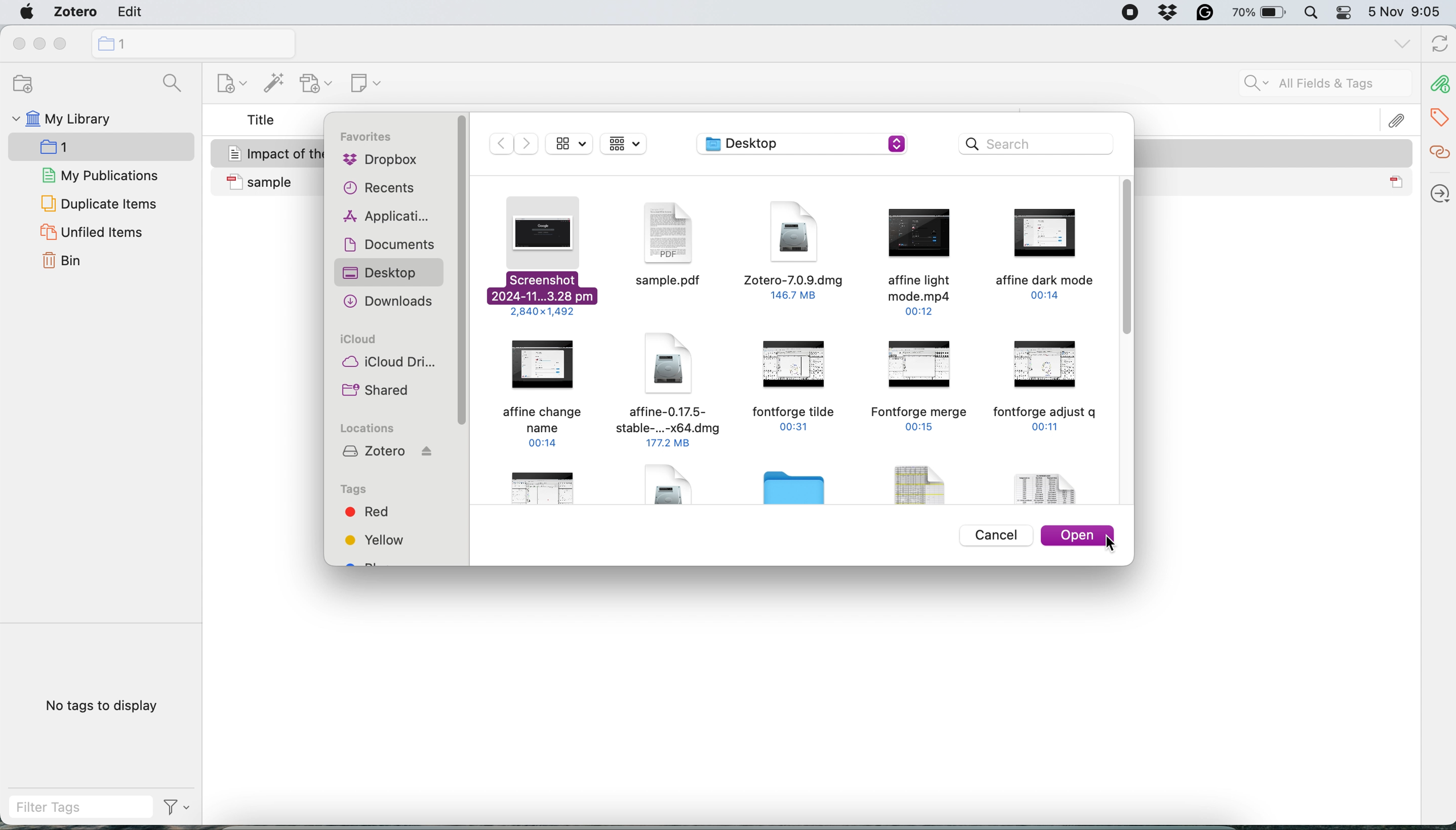  What do you see at coordinates (39, 44) in the screenshot?
I see `minimise` at bounding box center [39, 44].